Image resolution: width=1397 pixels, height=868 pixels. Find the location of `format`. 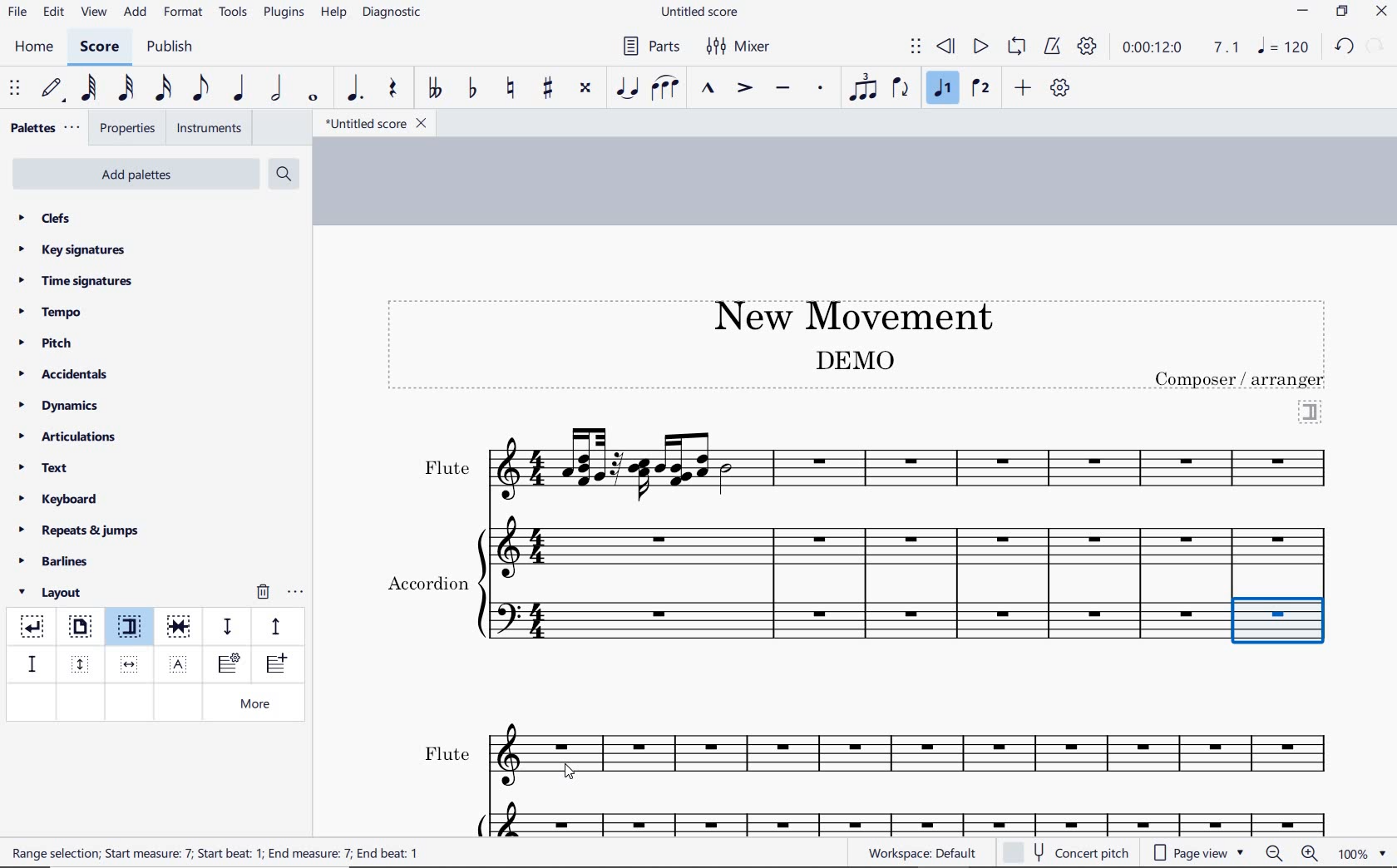

format is located at coordinates (185, 12).